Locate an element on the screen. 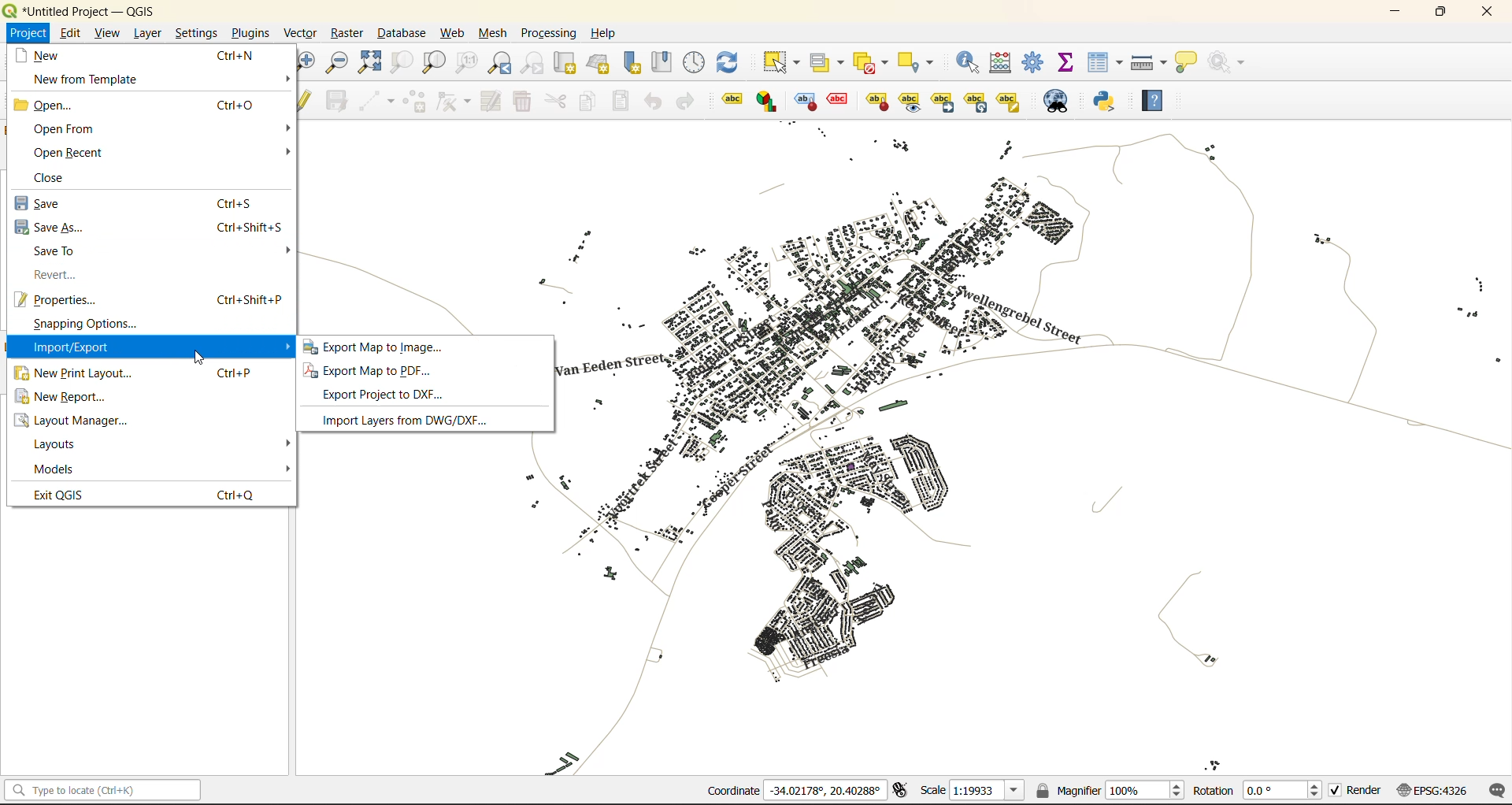 Image resolution: width=1512 pixels, height=805 pixels. save as is located at coordinates (51, 227).